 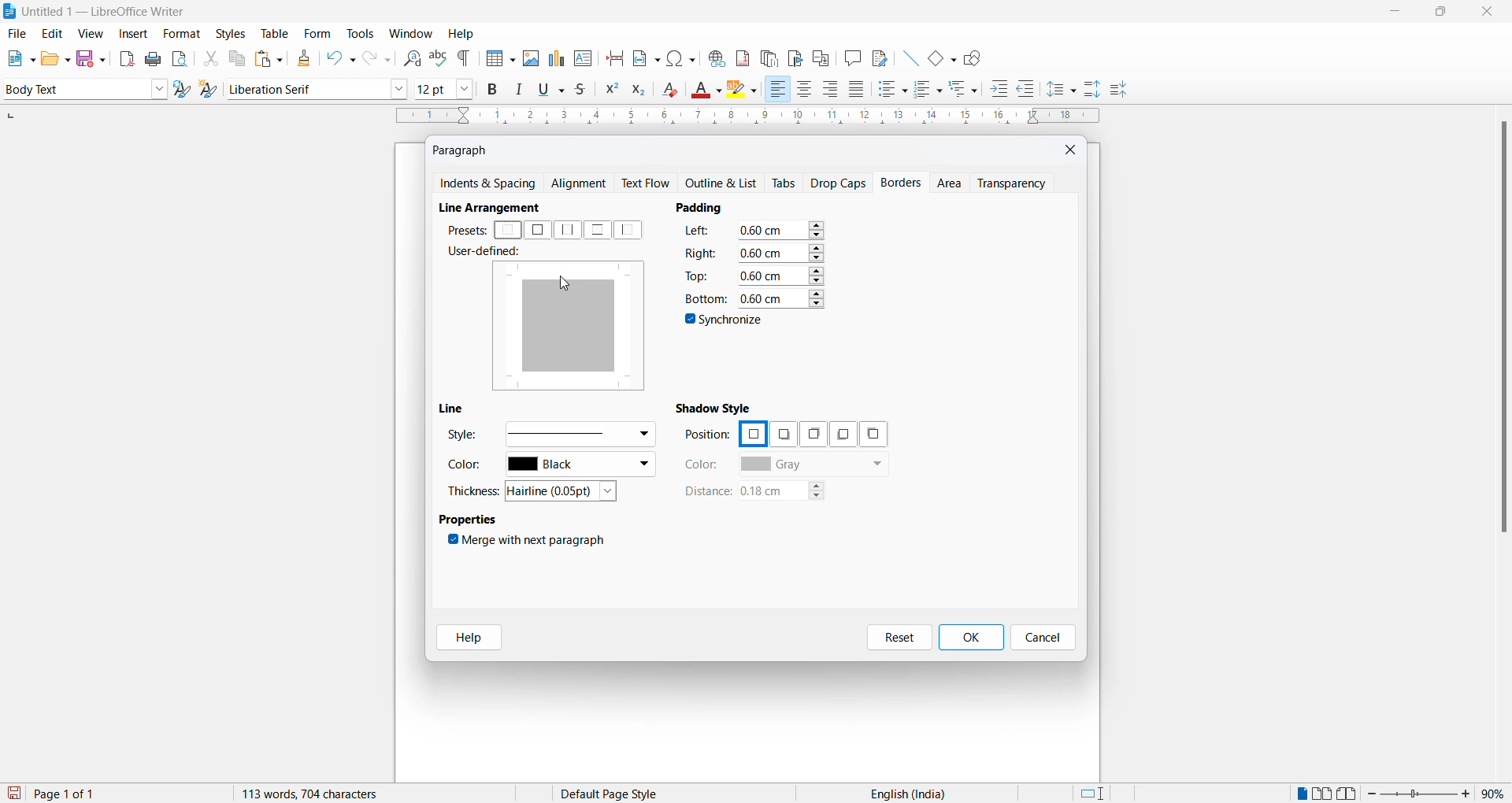 I want to click on insert cross-reference, so click(x=878, y=57).